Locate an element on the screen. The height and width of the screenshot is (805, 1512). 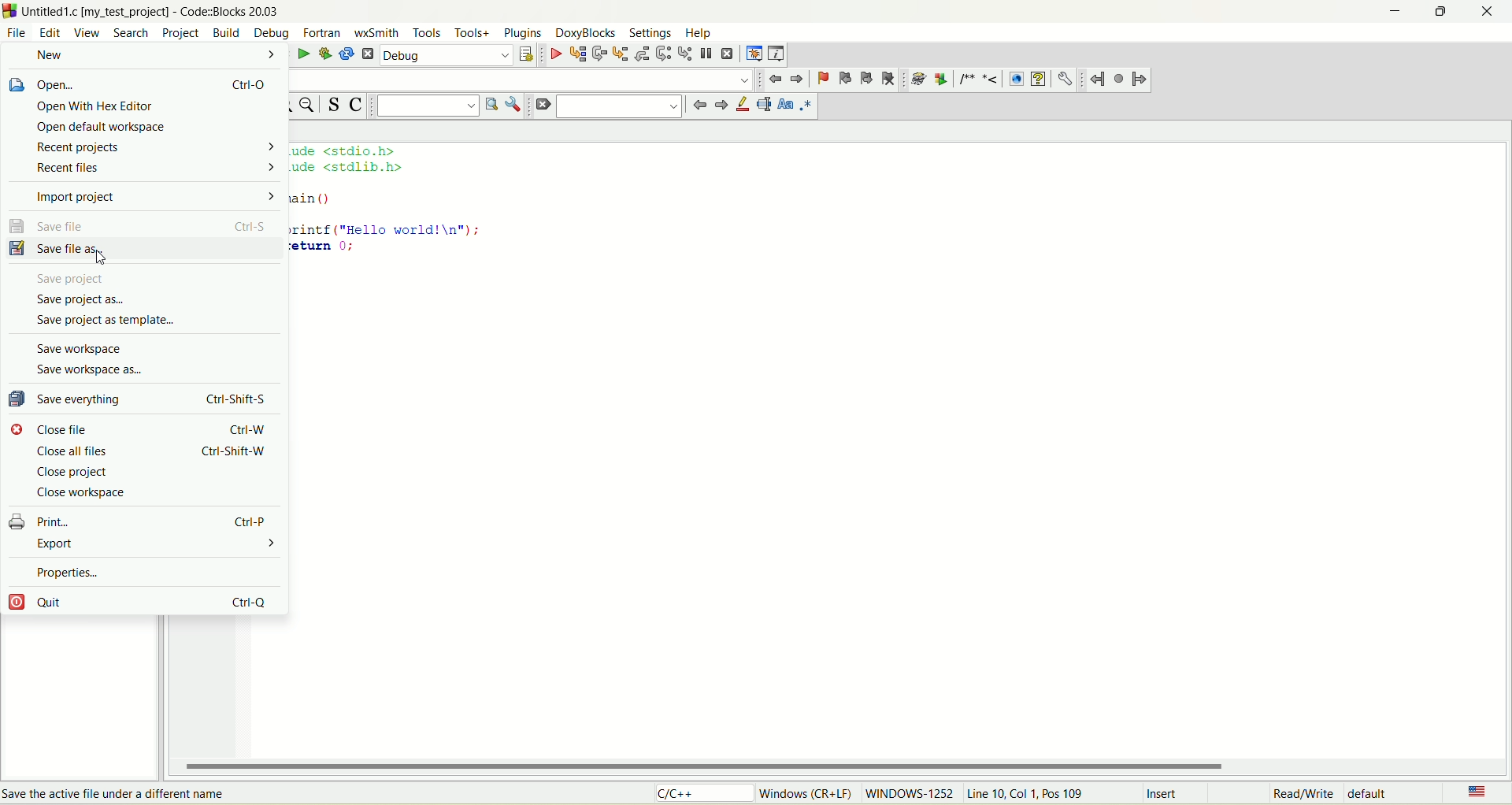
view is located at coordinates (88, 33).